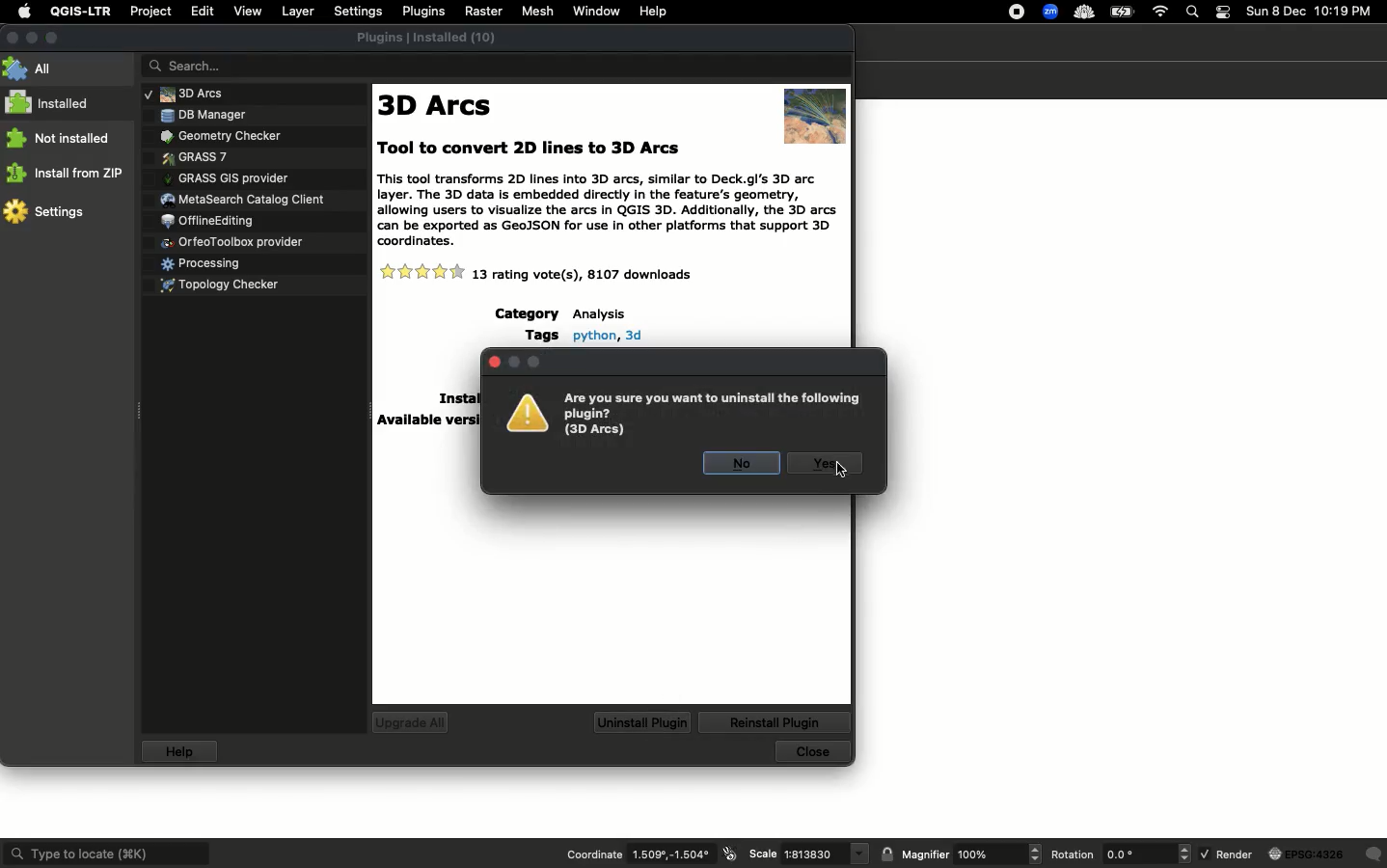 Image resolution: width=1387 pixels, height=868 pixels. I want to click on Raster, so click(484, 12).